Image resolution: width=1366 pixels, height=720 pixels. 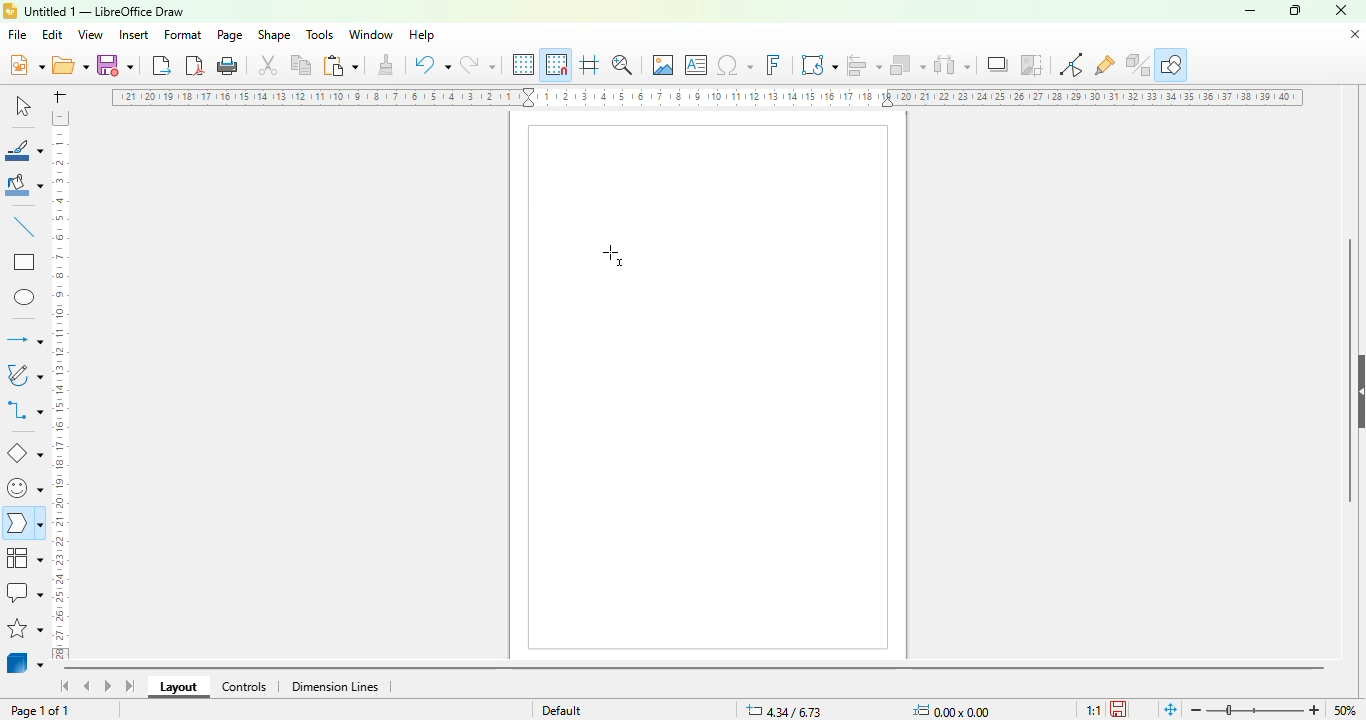 What do you see at coordinates (23, 489) in the screenshot?
I see `symbol shapes` at bounding box center [23, 489].